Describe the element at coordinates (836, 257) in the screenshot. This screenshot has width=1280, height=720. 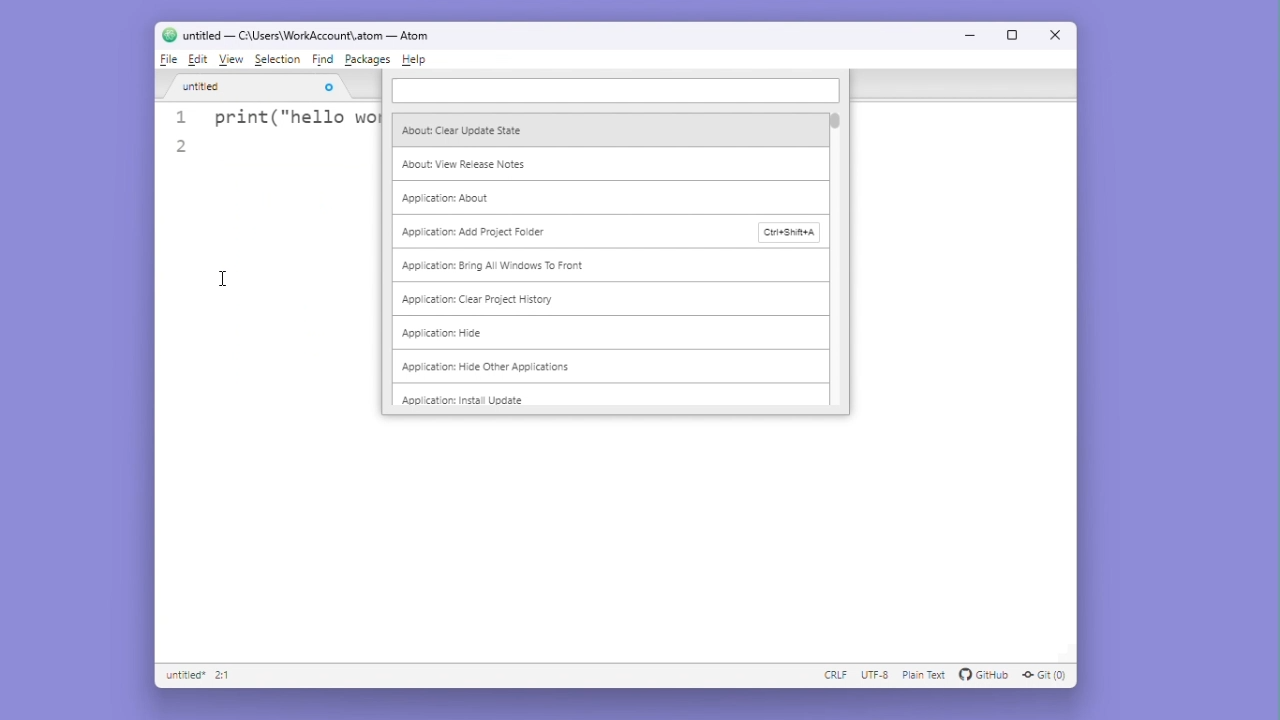
I see `scroll` at that location.